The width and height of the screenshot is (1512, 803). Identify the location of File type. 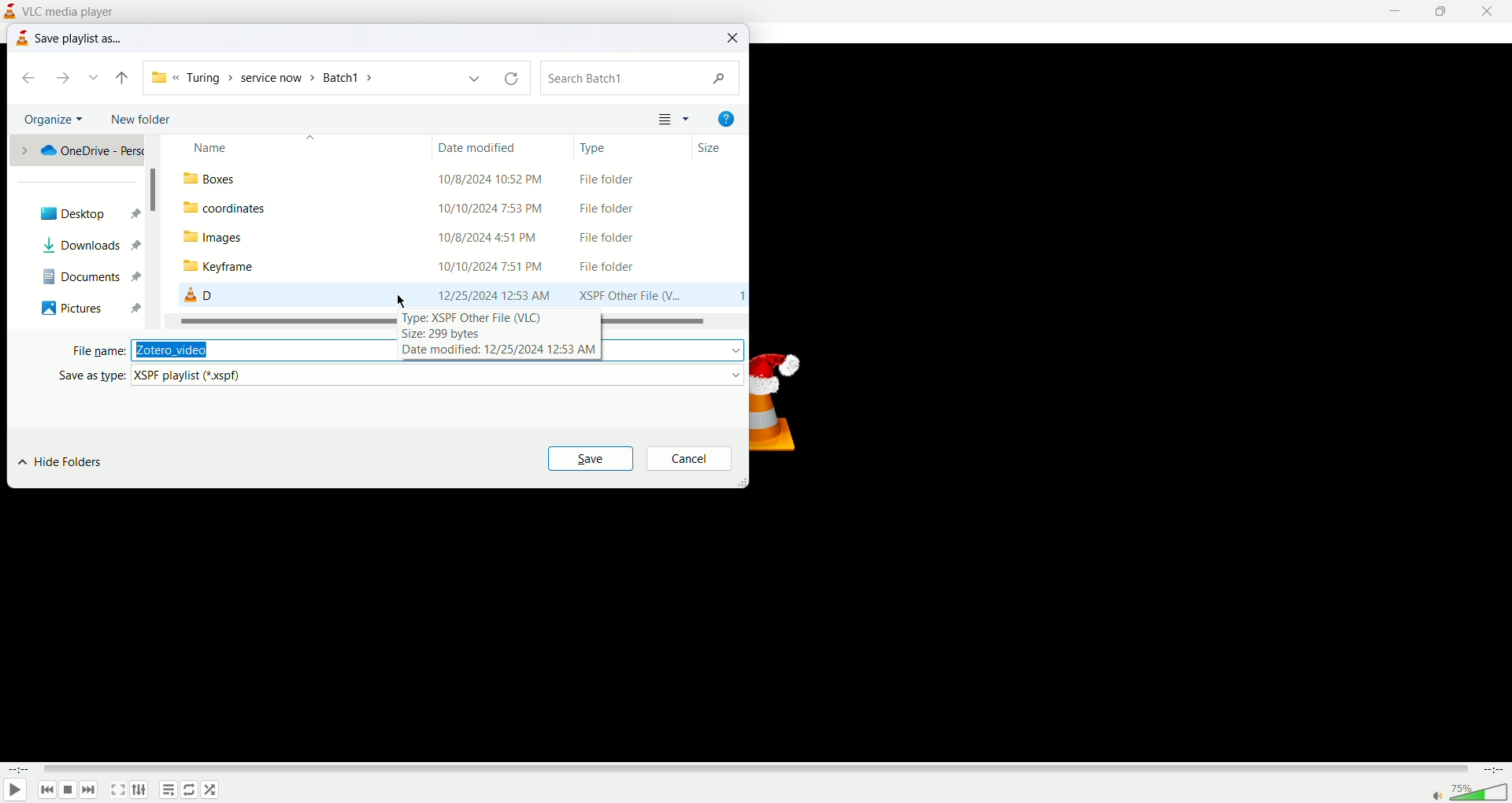
(627, 238).